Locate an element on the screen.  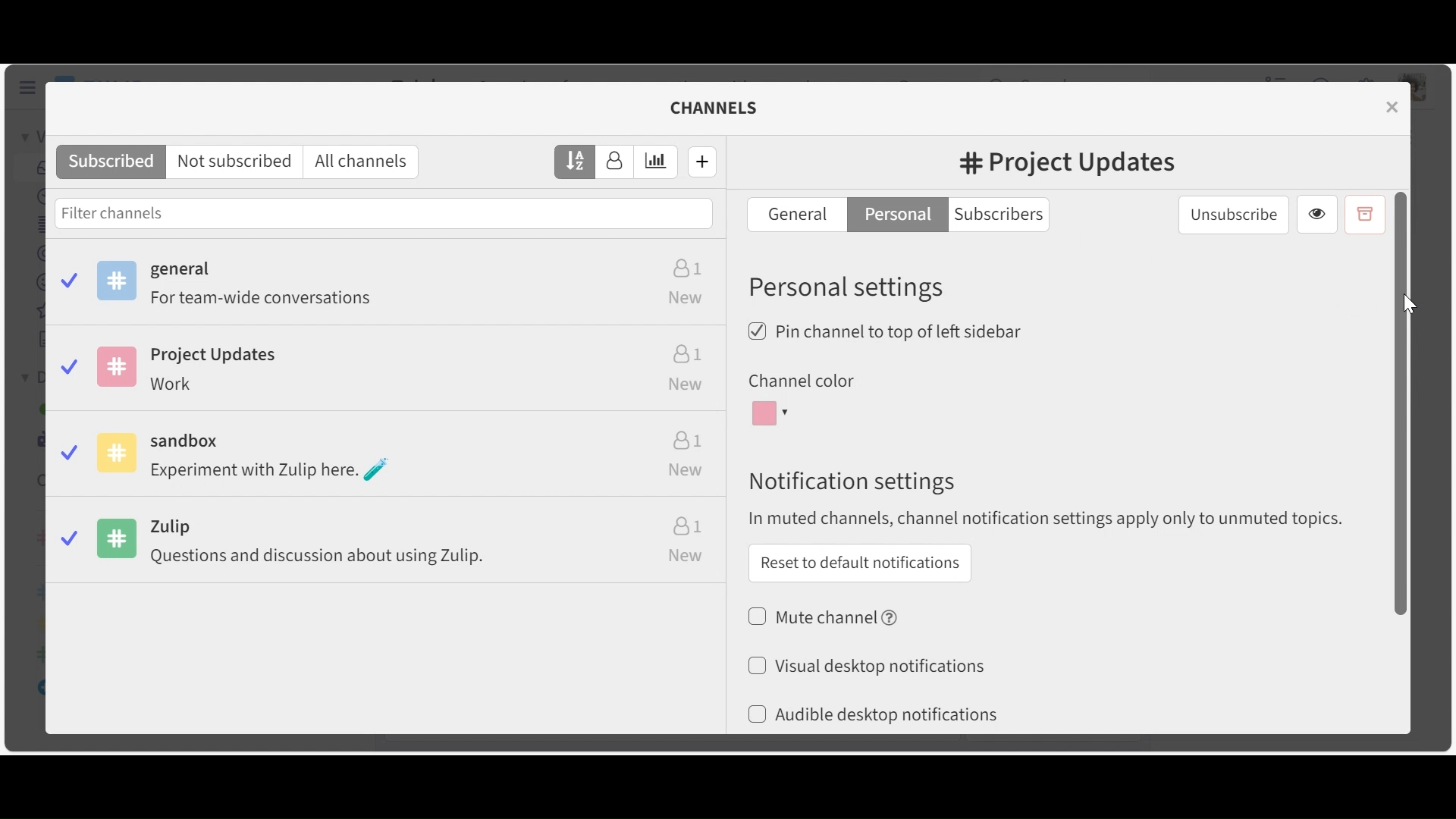
Subscribed channels is located at coordinates (389, 287).